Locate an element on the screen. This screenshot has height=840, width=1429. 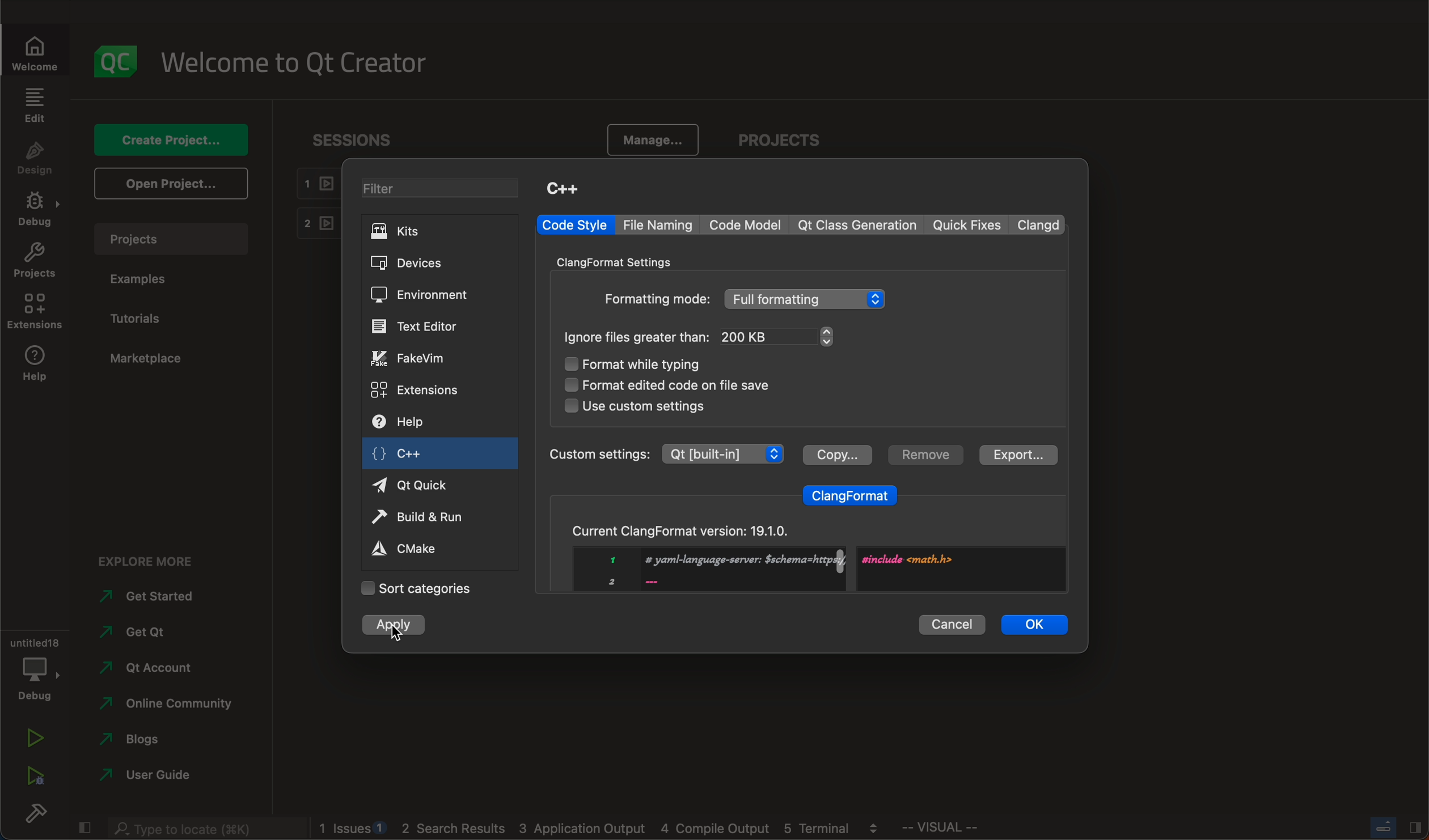
code is located at coordinates (747, 224).